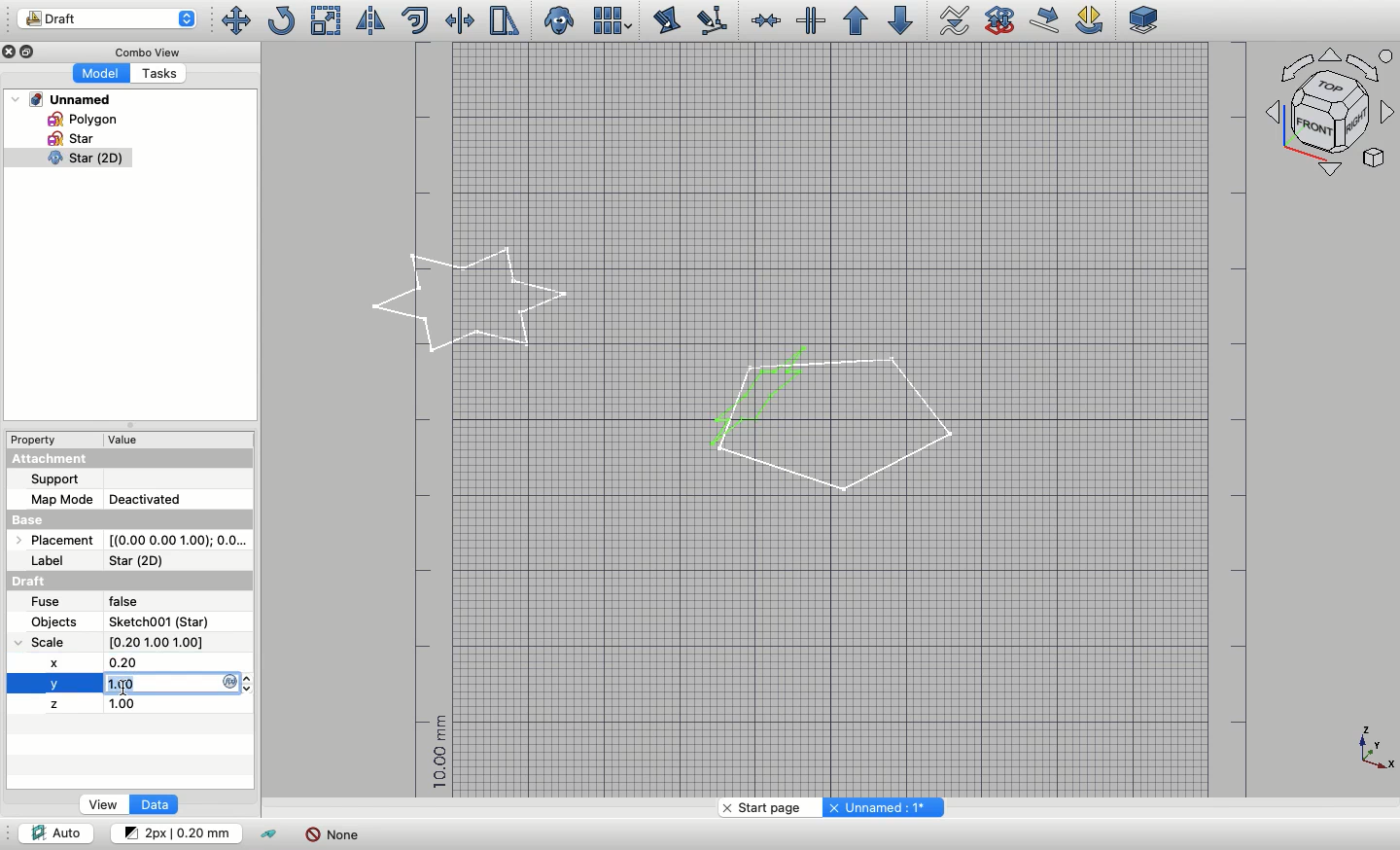 The height and width of the screenshot is (850, 1400). What do you see at coordinates (1328, 110) in the screenshot?
I see `Navigation styles` at bounding box center [1328, 110].